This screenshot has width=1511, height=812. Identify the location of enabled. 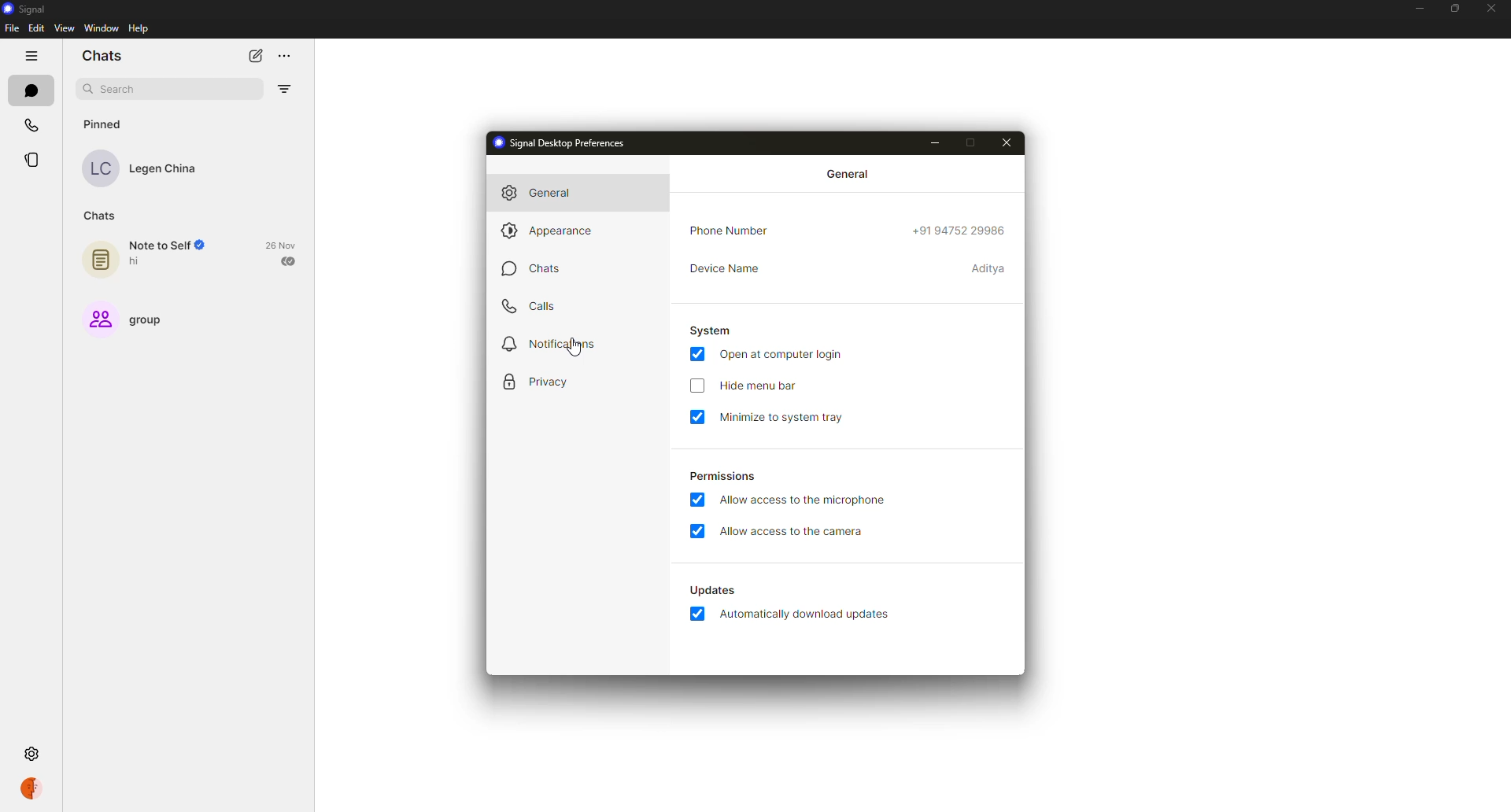
(696, 355).